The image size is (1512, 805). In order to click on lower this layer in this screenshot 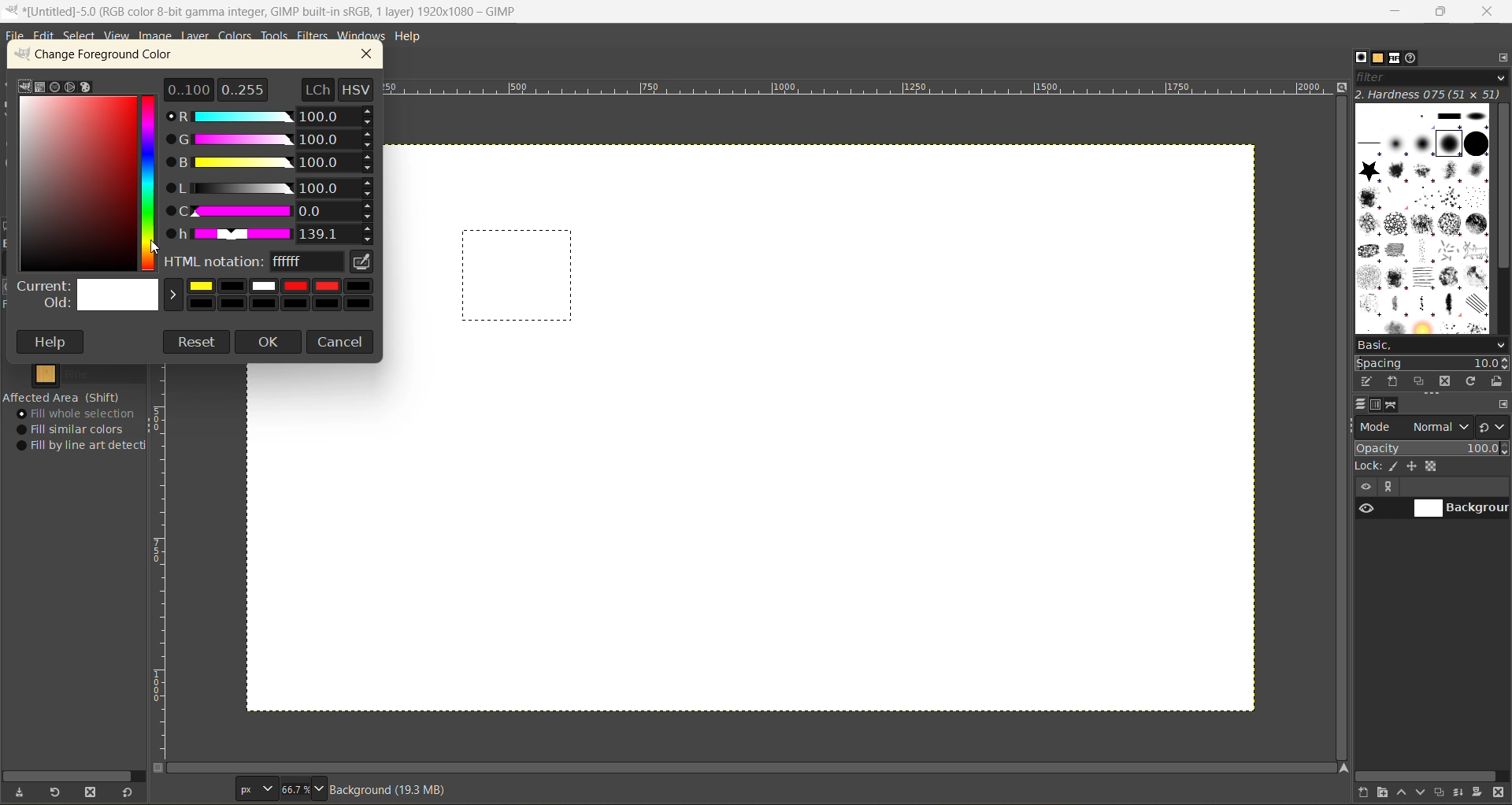, I will do `click(1424, 793)`.